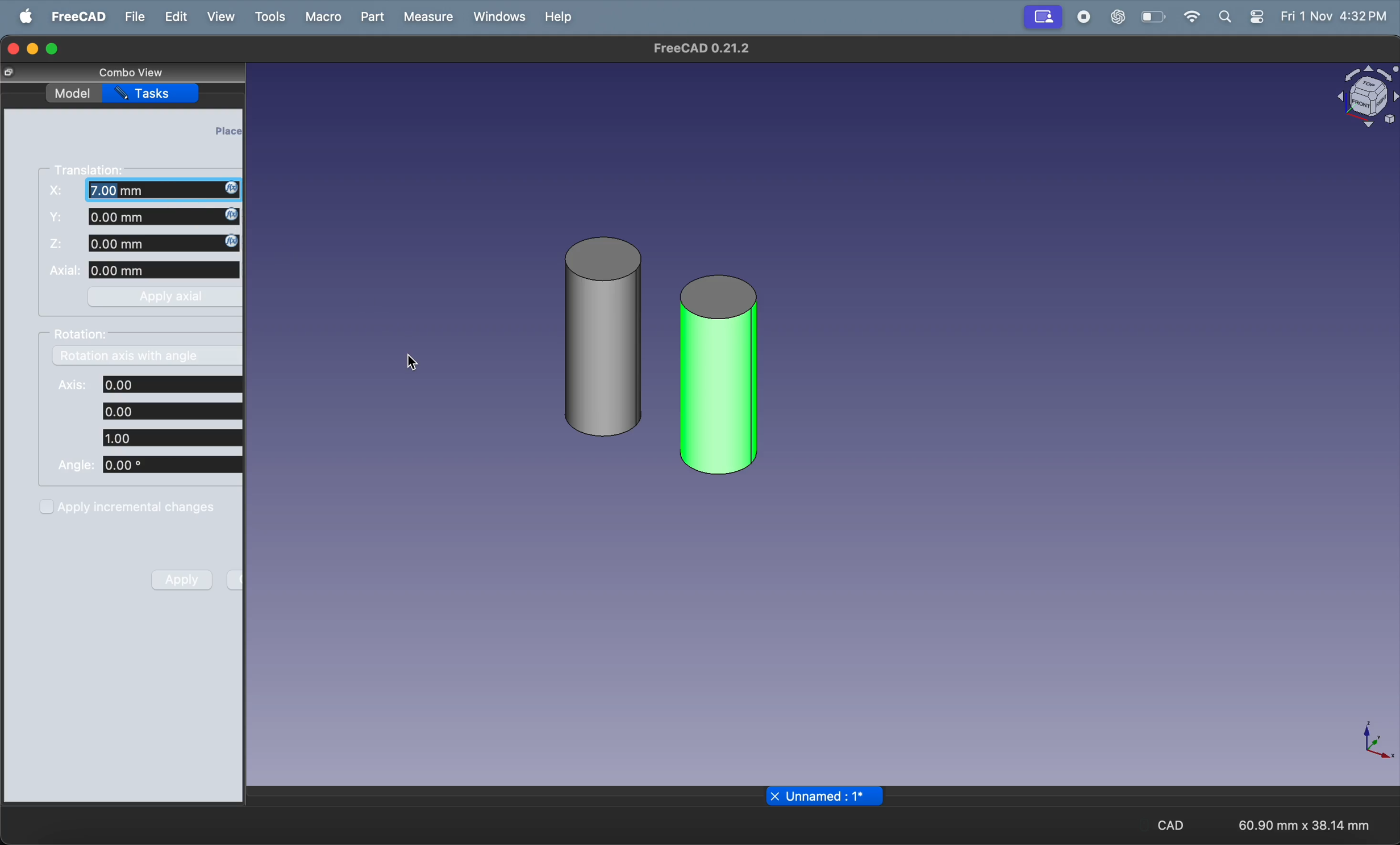  Describe the element at coordinates (86, 337) in the screenshot. I see `rotation` at that location.